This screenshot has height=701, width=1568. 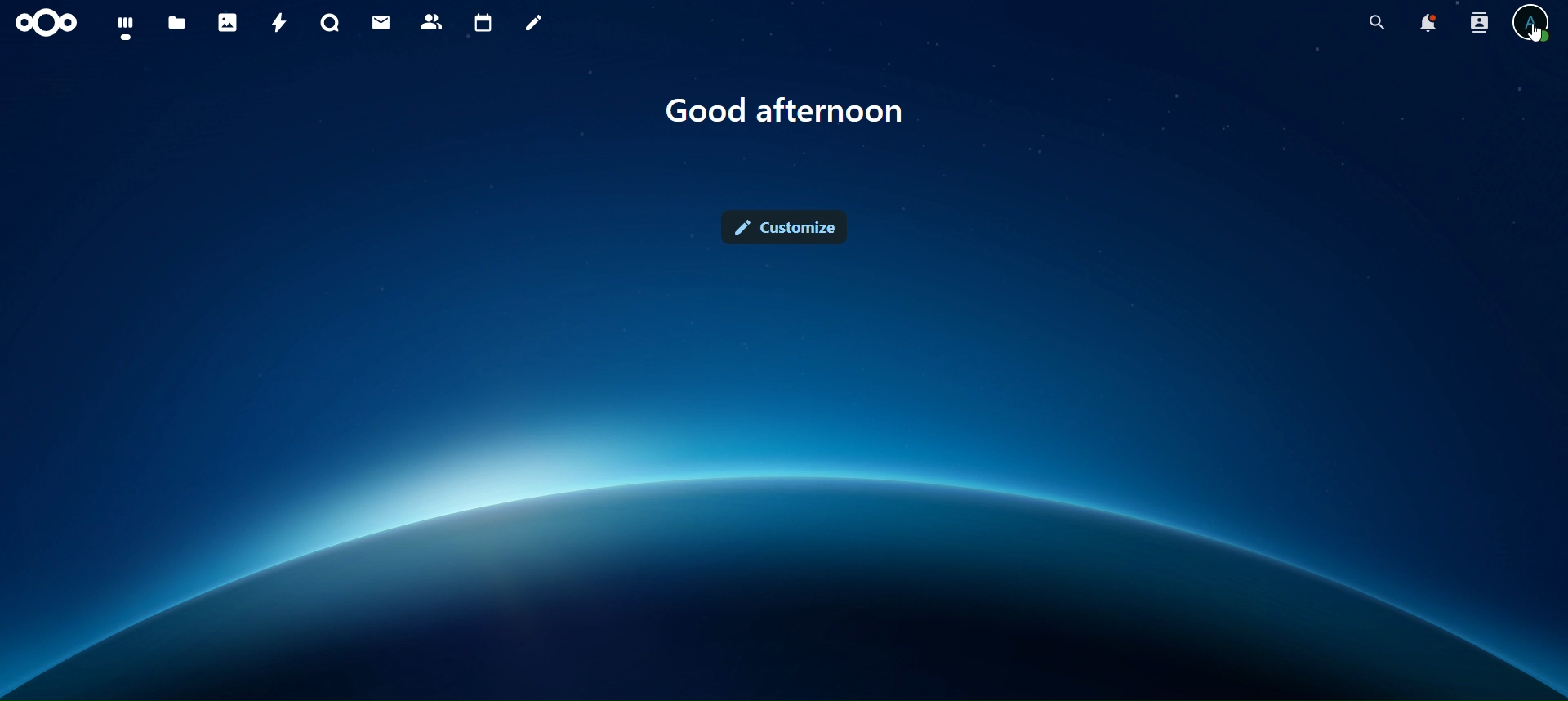 I want to click on customize, so click(x=784, y=225).